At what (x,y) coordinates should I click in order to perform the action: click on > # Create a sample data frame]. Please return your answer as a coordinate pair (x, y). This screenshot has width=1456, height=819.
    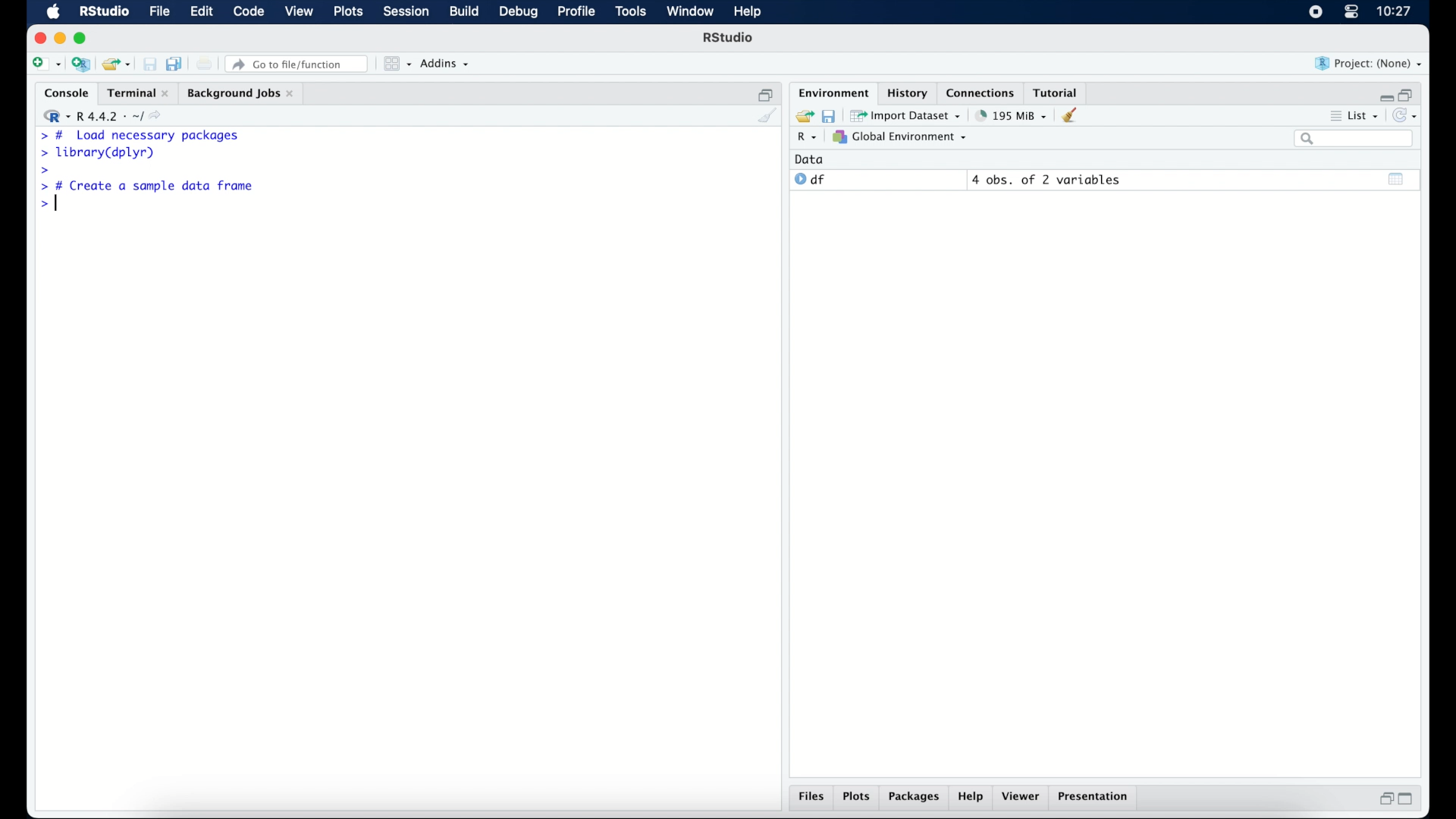
    Looking at the image, I should click on (150, 187).